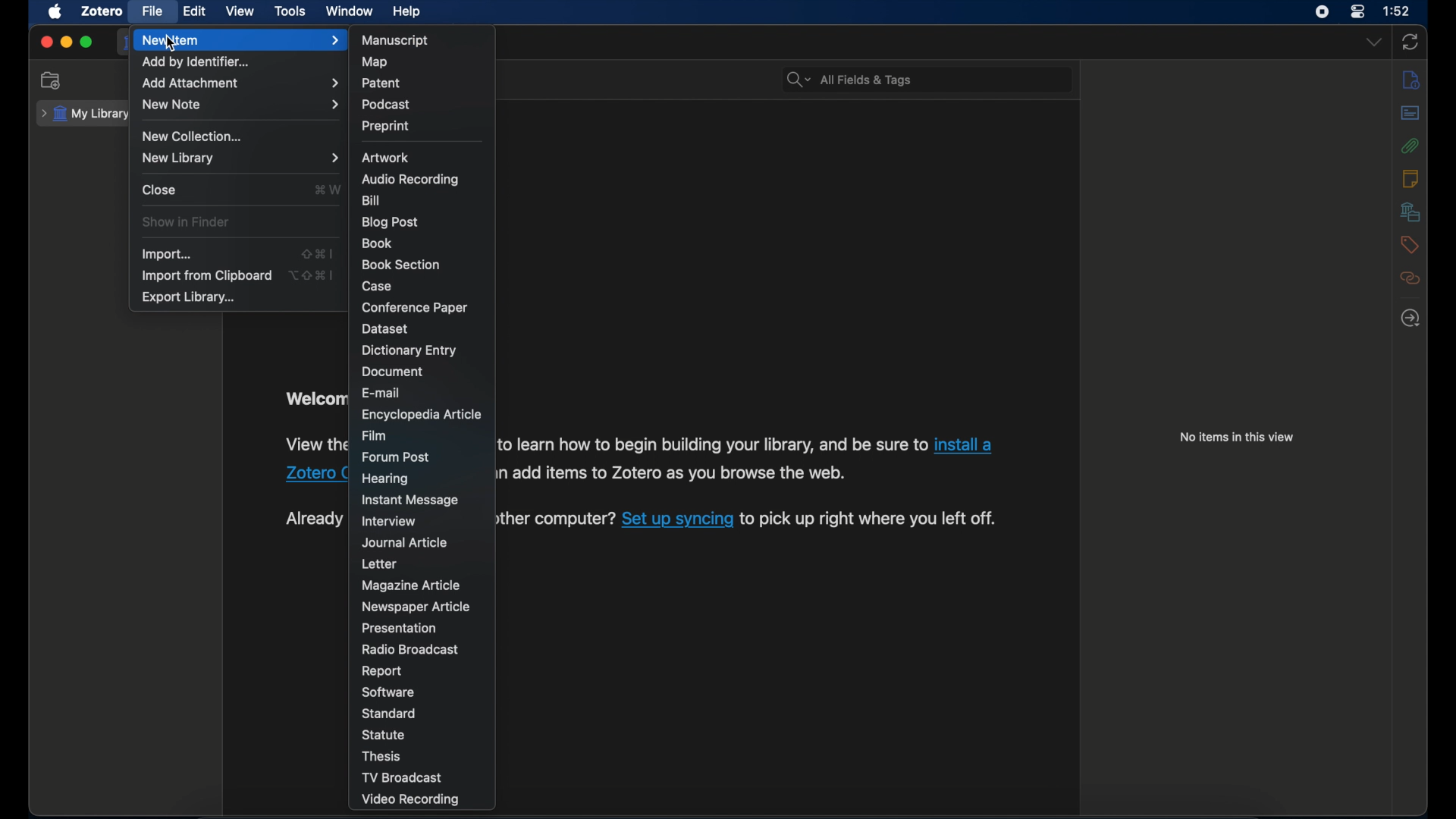 The height and width of the screenshot is (819, 1456). I want to click on related, so click(1410, 278).